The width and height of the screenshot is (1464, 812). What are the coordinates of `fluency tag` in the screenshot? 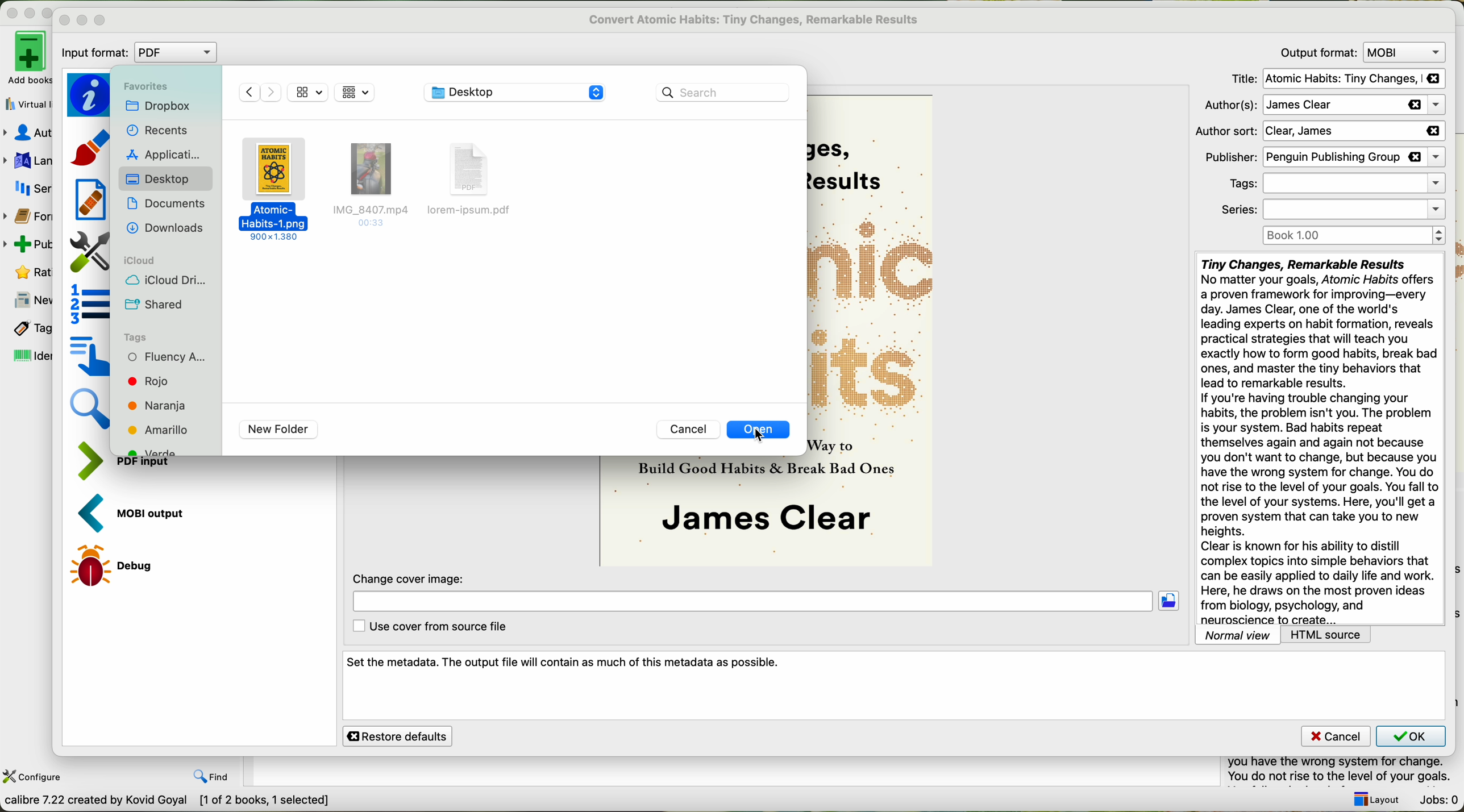 It's located at (167, 357).